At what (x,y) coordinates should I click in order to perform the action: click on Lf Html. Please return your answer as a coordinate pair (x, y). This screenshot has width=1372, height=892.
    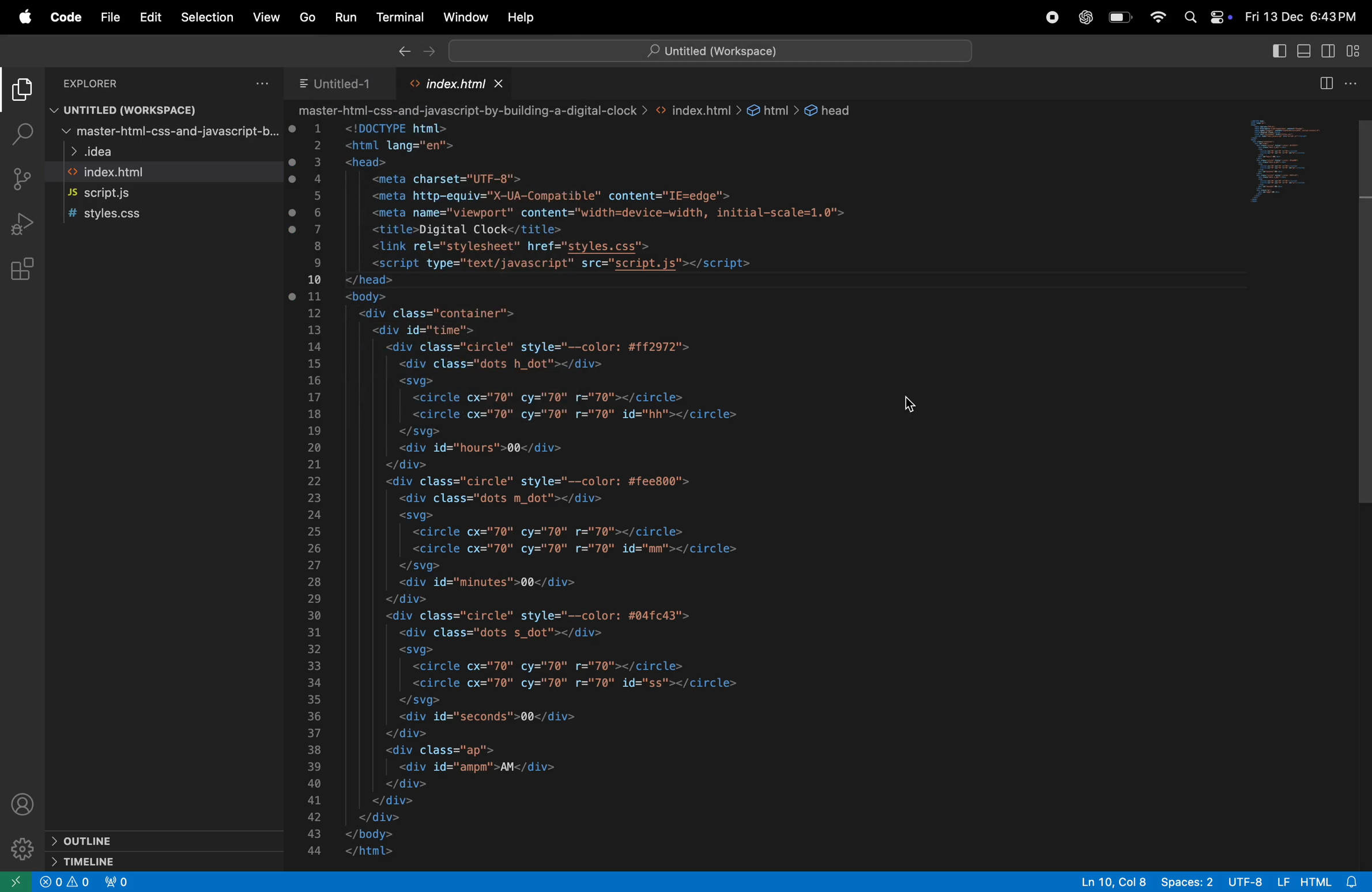
    Looking at the image, I should click on (1317, 881).